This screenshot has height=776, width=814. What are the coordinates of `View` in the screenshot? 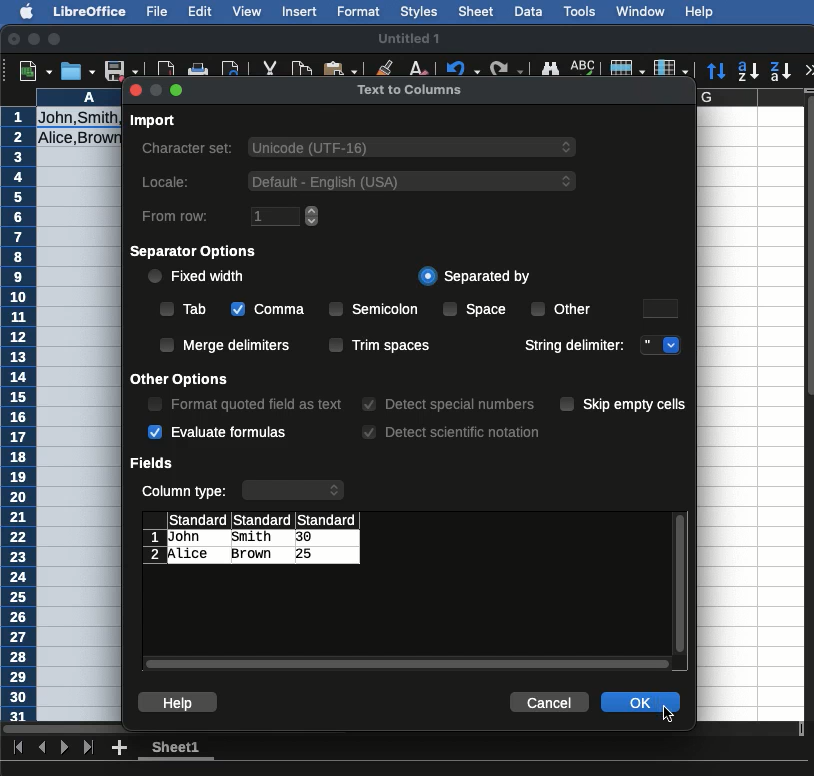 It's located at (246, 12).